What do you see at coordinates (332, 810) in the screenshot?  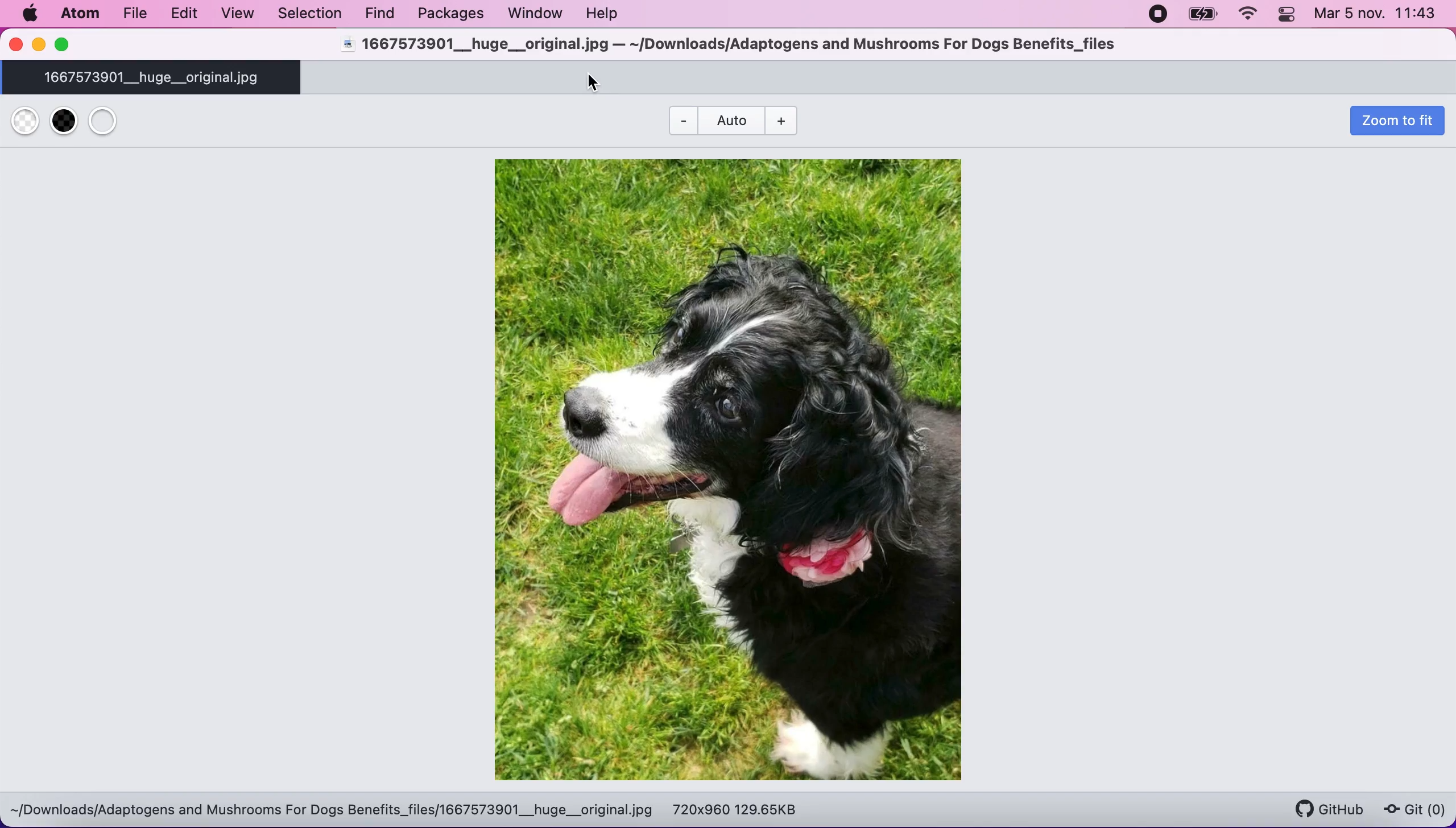 I see `~[/Downloads/Adaptogens and Mushrooms For Dogs Benefits_files/1667573901__huge__original.jpg` at bounding box center [332, 810].